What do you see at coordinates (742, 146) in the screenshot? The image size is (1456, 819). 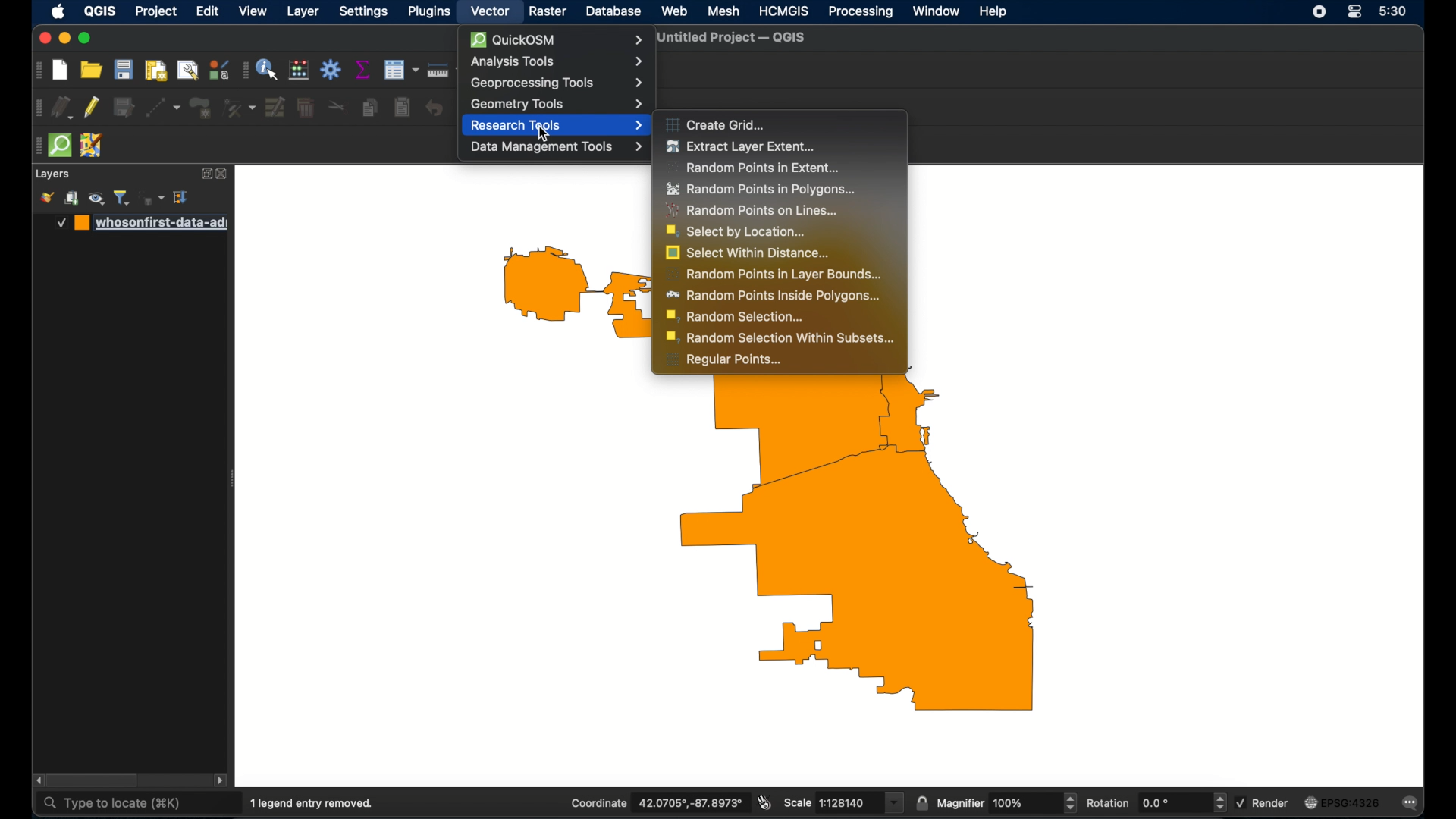 I see `extract layer extent` at bounding box center [742, 146].